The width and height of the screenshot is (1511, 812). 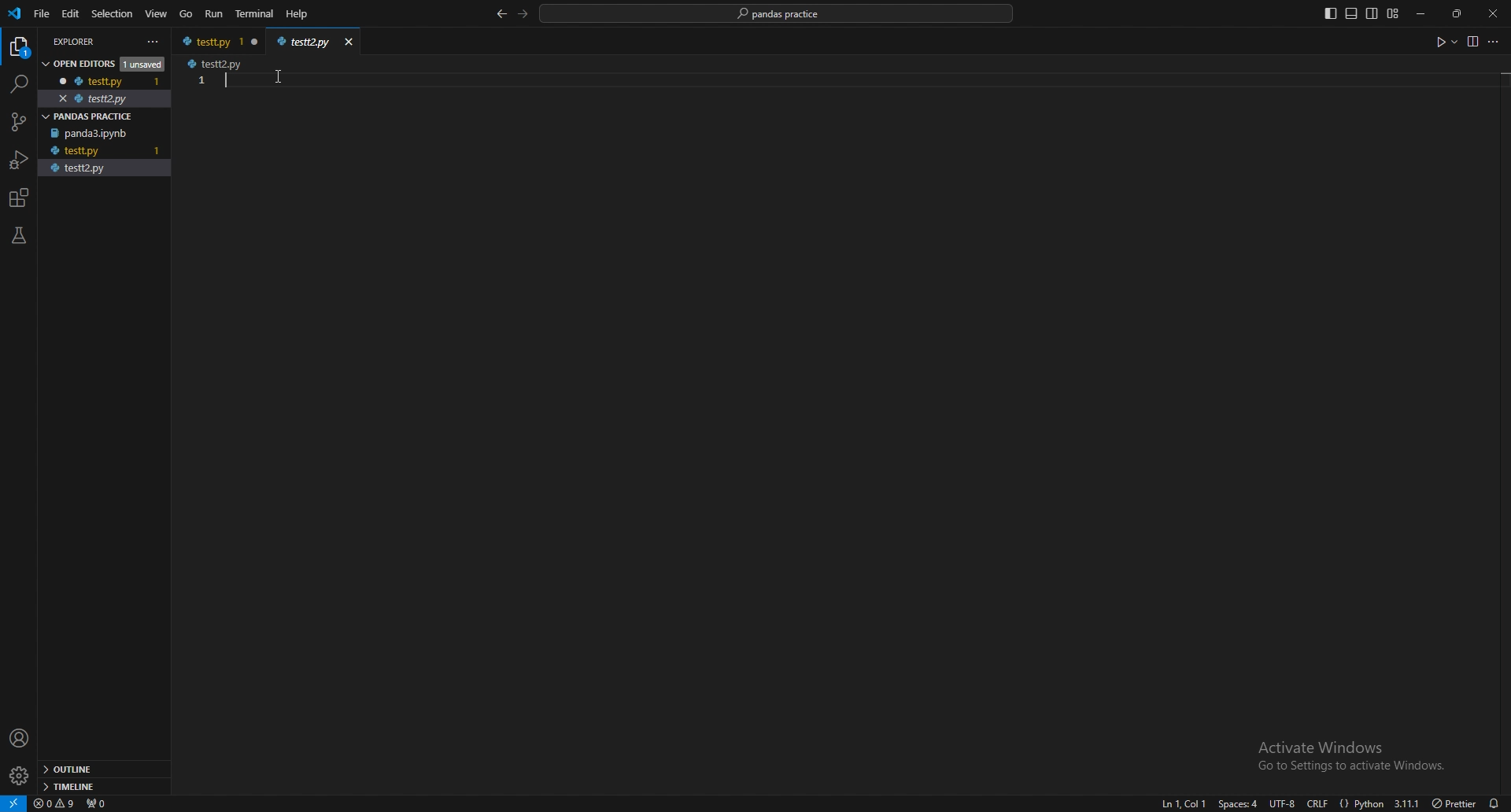 I want to click on testt2.py, so click(x=305, y=39).